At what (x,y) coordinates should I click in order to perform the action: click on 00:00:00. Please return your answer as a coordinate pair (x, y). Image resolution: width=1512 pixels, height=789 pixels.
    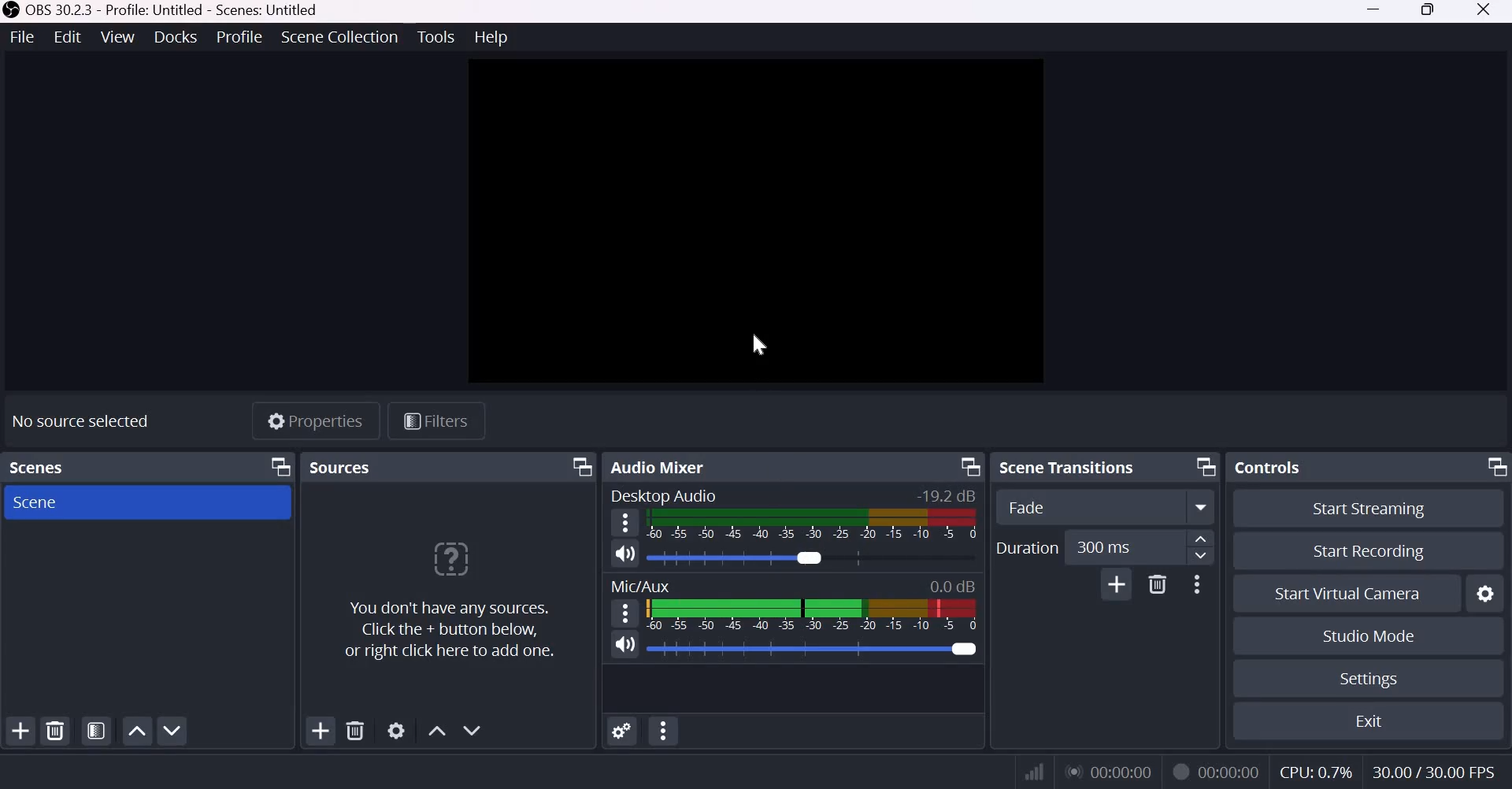
    Looking at the image, I should click on (1110, 771).